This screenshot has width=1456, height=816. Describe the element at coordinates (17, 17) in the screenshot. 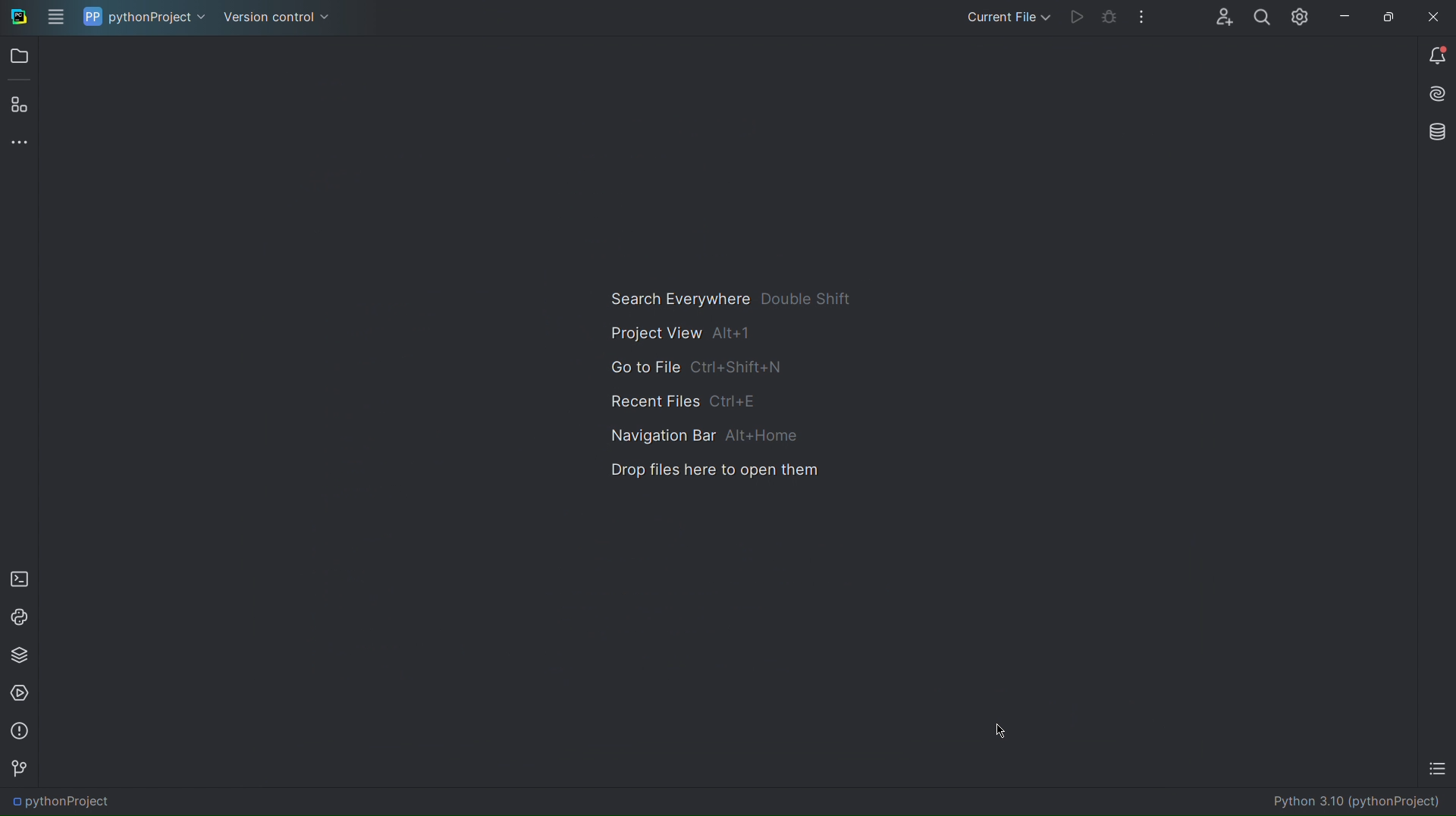

I see `` at that location.